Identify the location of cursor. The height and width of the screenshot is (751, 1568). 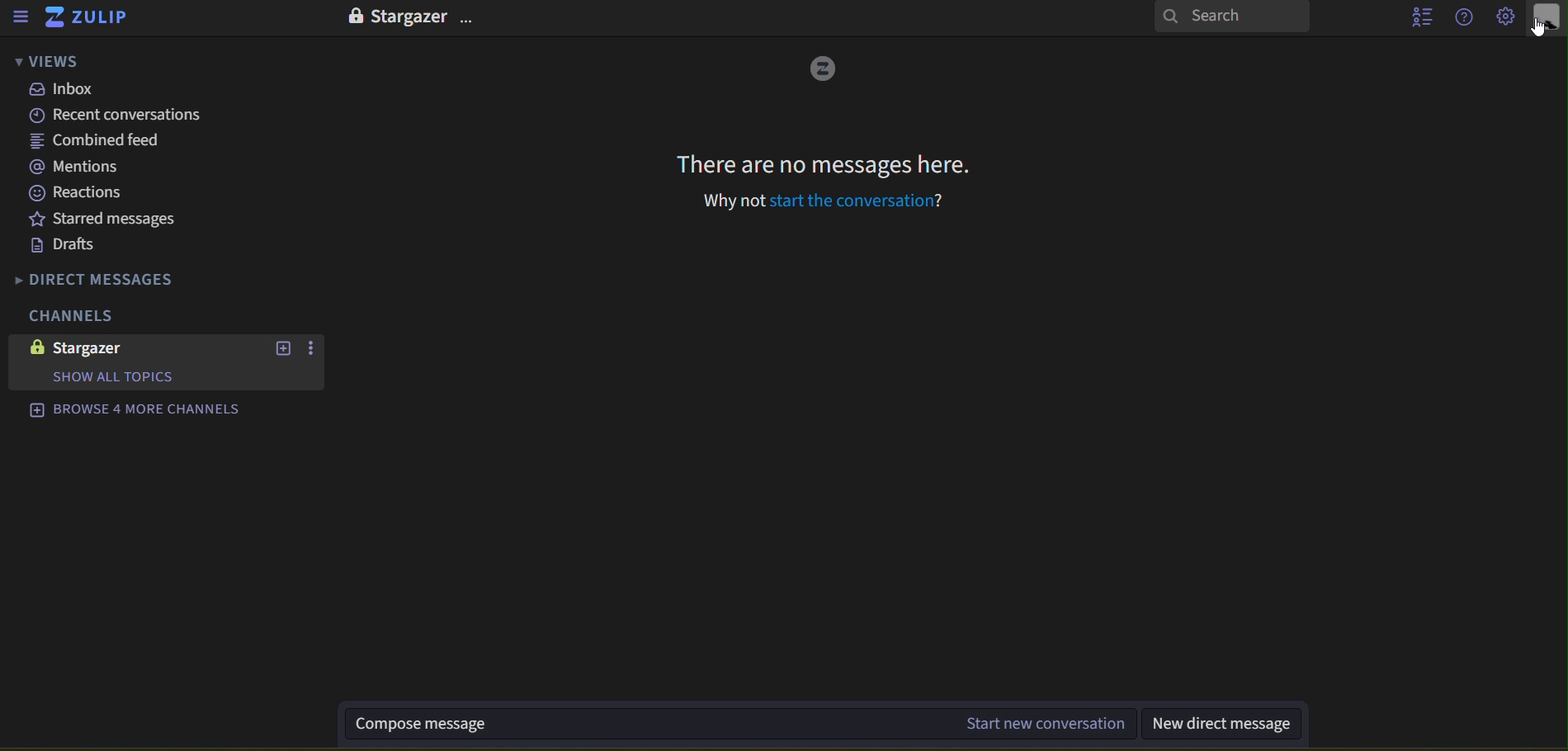
(1537, 31).